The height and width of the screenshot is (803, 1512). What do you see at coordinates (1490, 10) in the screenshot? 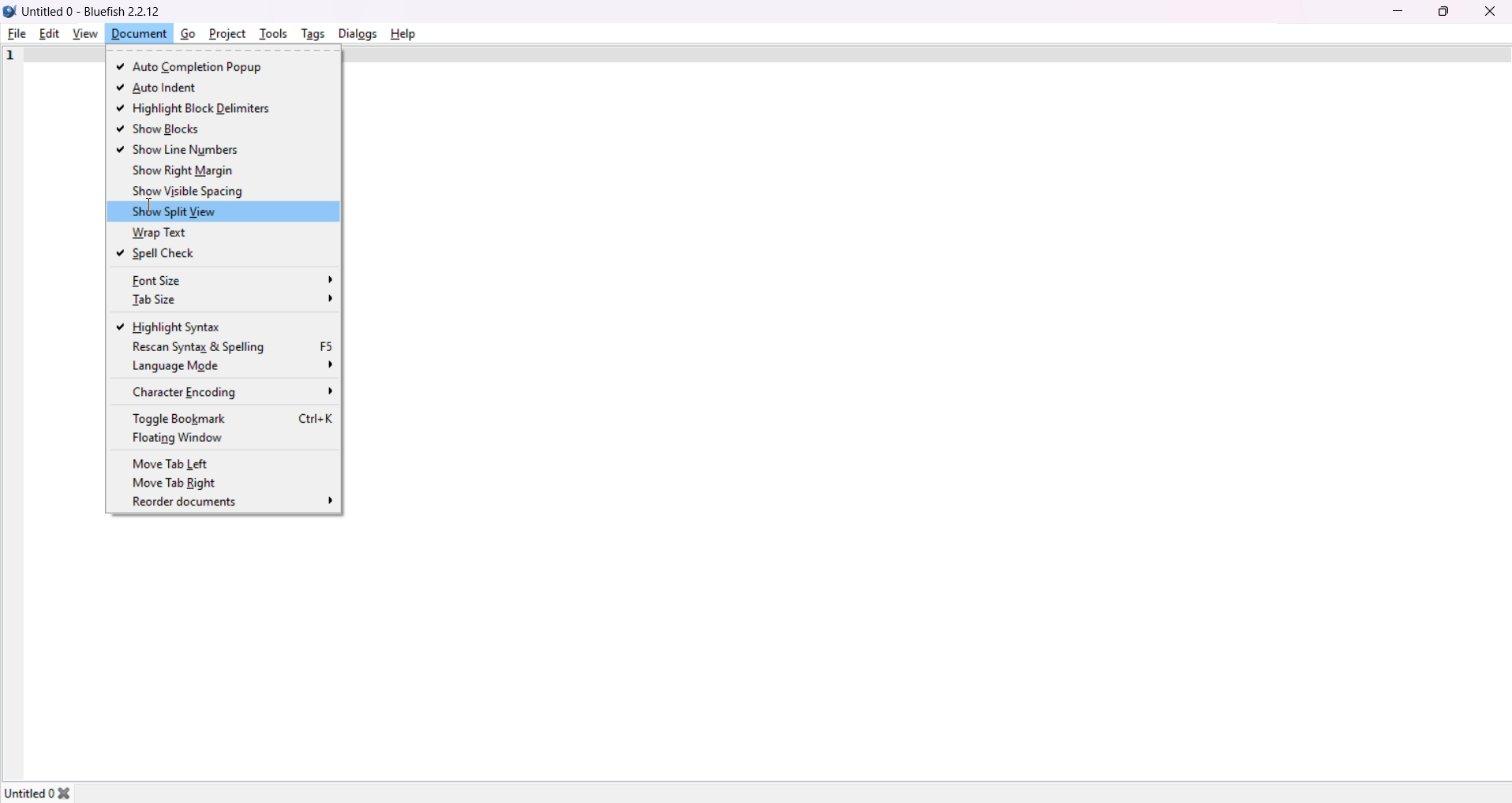
I see `close` at bounding box center [1490, 10].